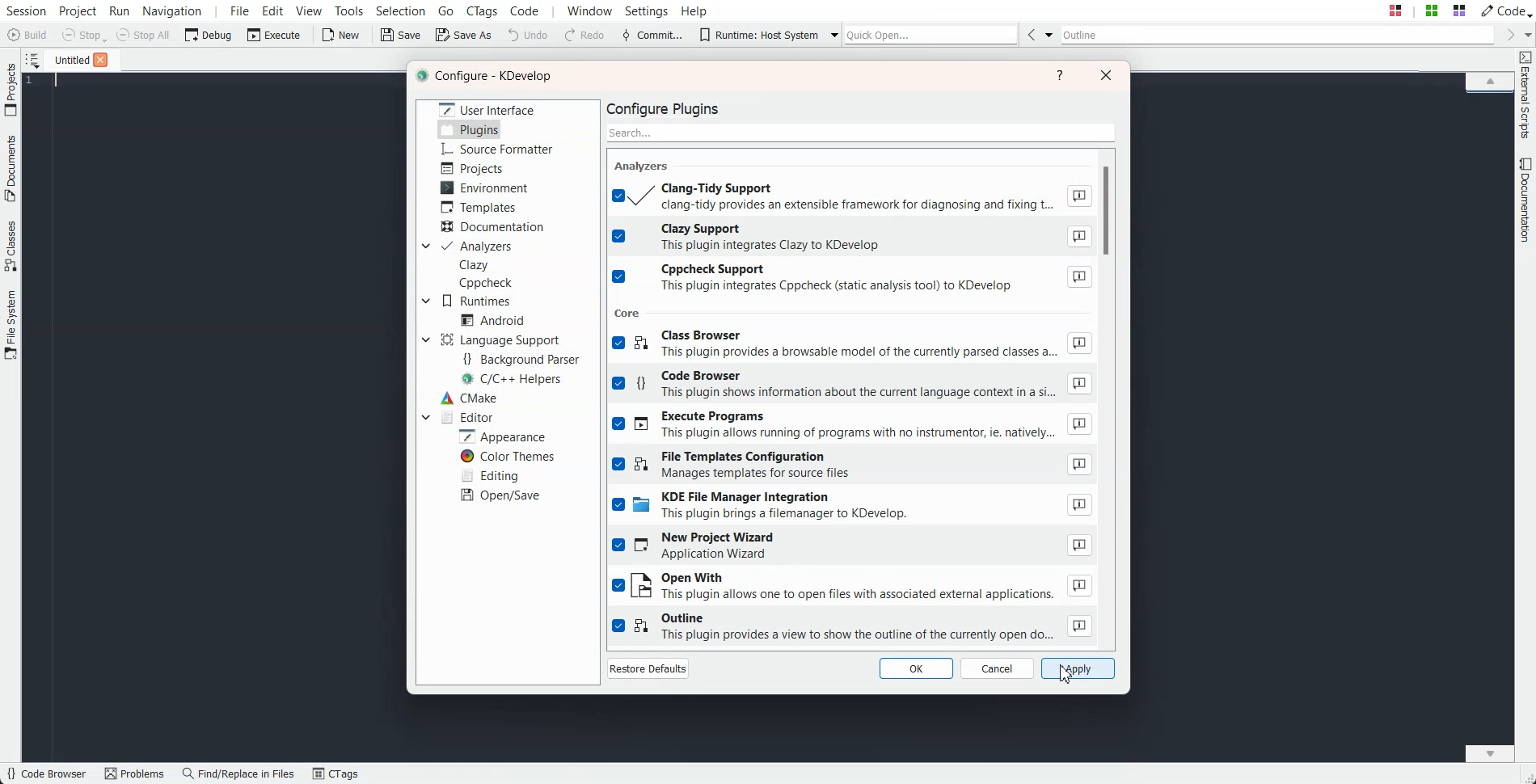  I want to click on Vertical Scroll Bar, so click(1112, 395).